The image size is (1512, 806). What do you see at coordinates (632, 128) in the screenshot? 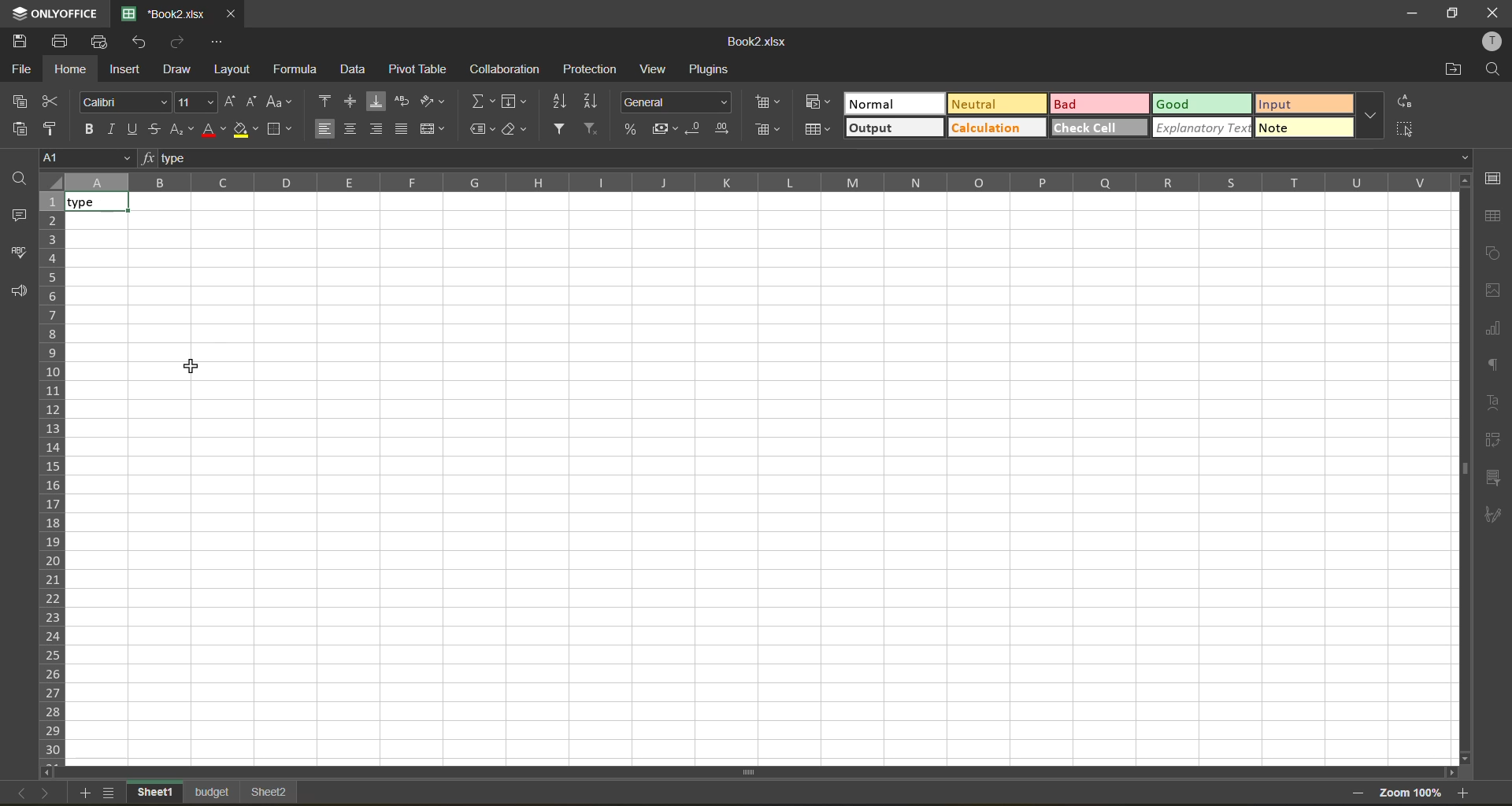
I see `percent` at bounding box center [632, 128].